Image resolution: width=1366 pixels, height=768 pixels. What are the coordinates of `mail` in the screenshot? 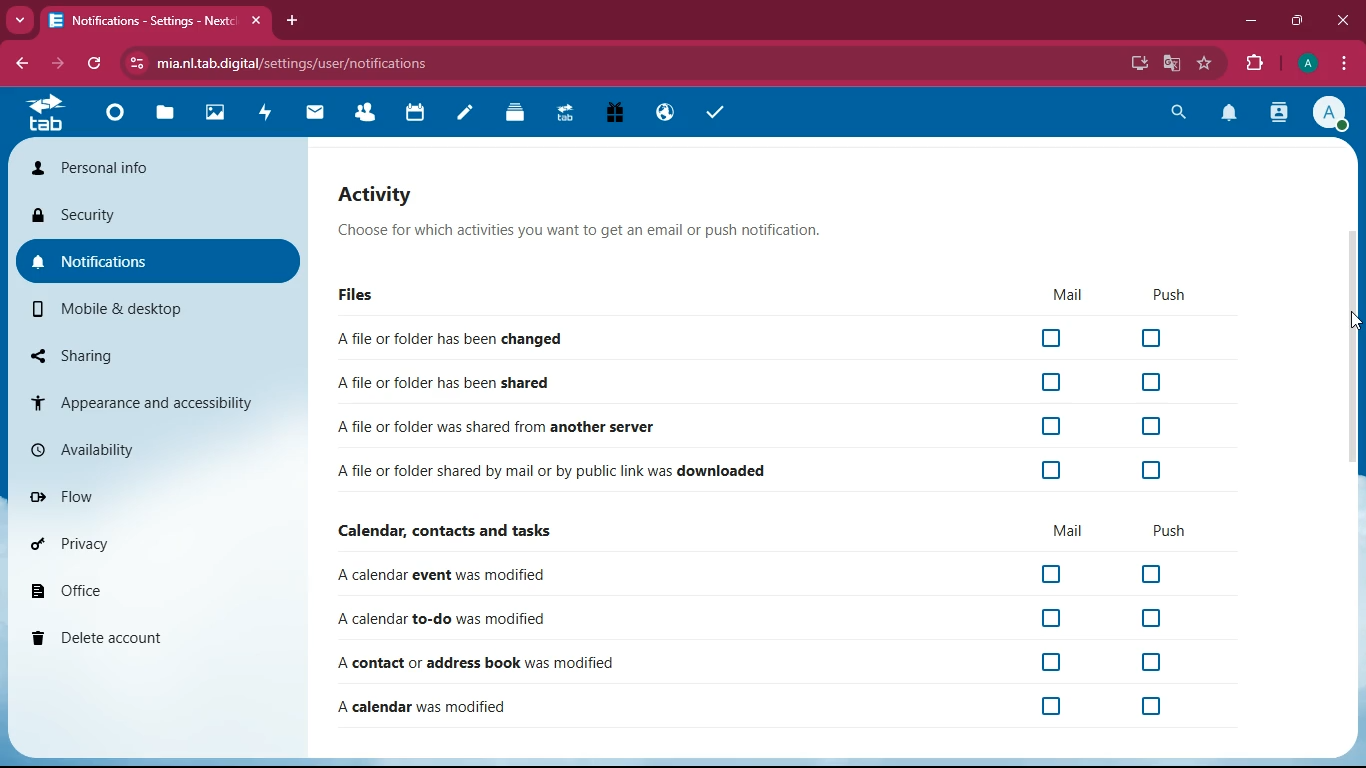 It's located at (315, 114).